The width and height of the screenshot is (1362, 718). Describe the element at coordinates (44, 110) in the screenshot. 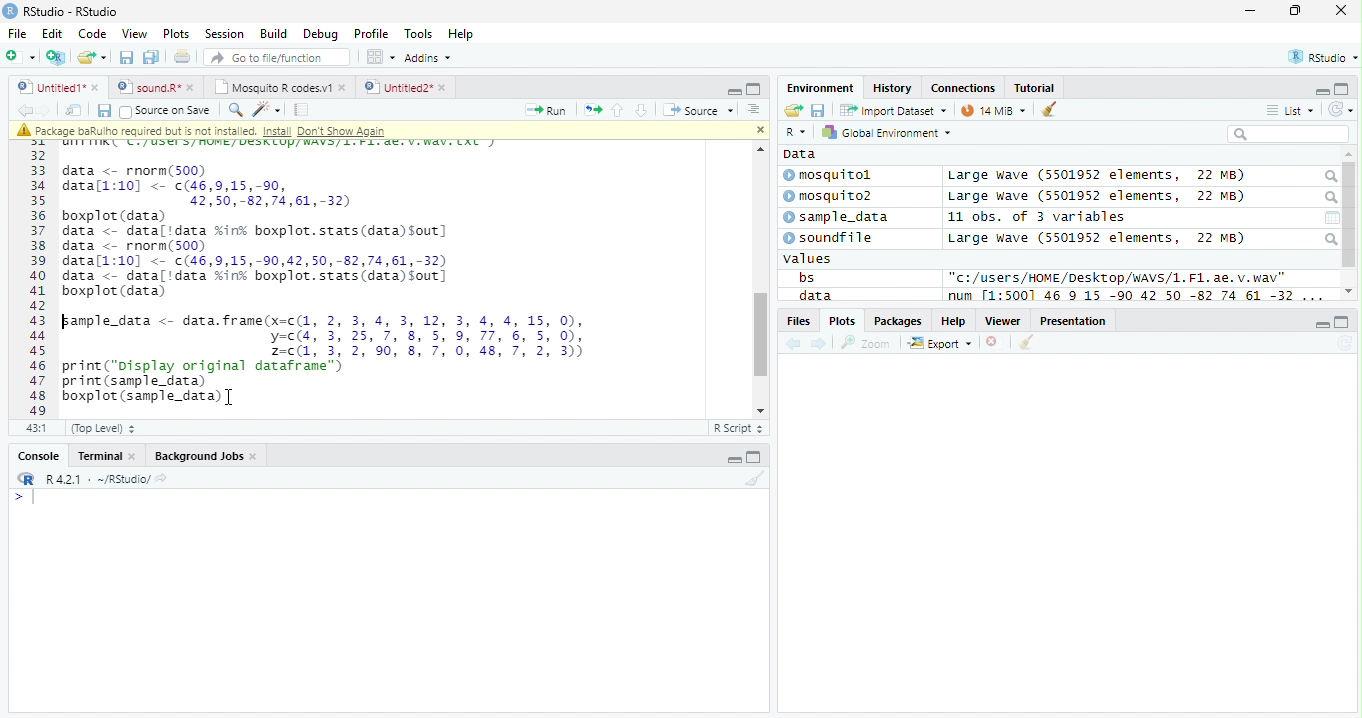

I see `Go forward` at that location.